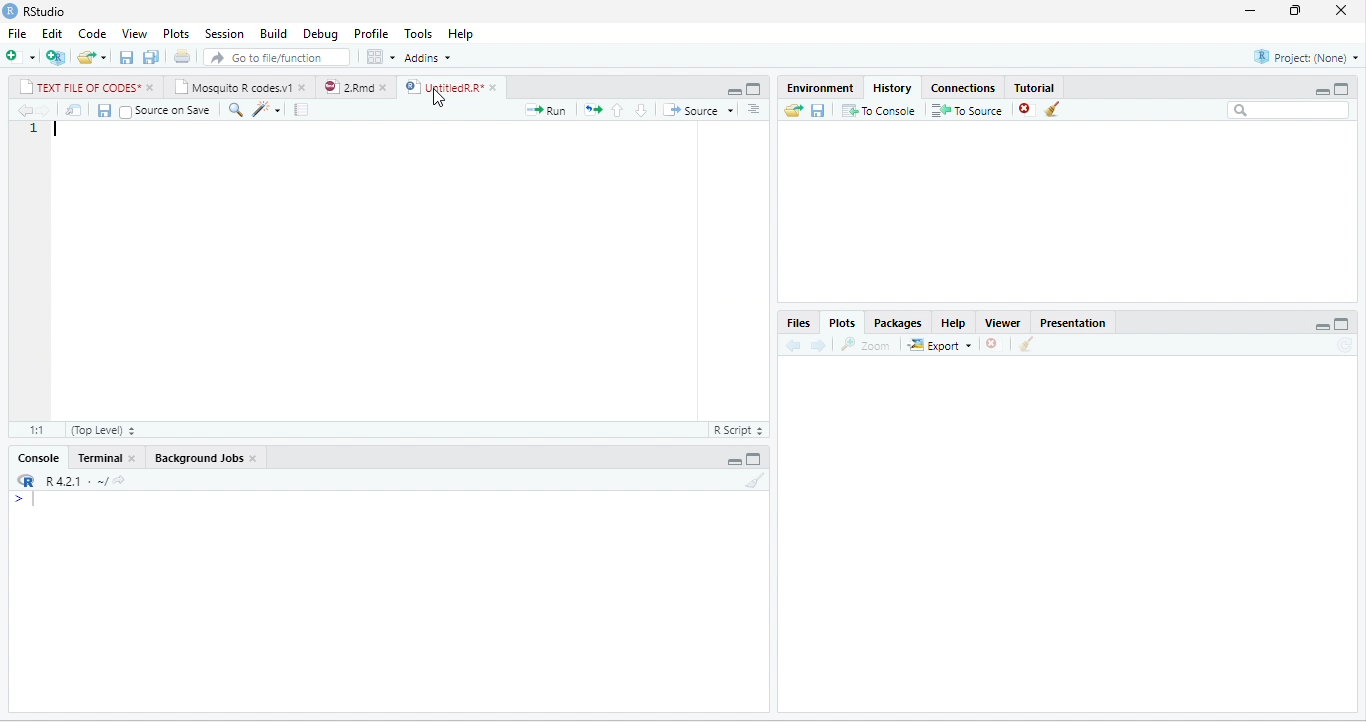  I want to click on Terminal, so click(98, 457).